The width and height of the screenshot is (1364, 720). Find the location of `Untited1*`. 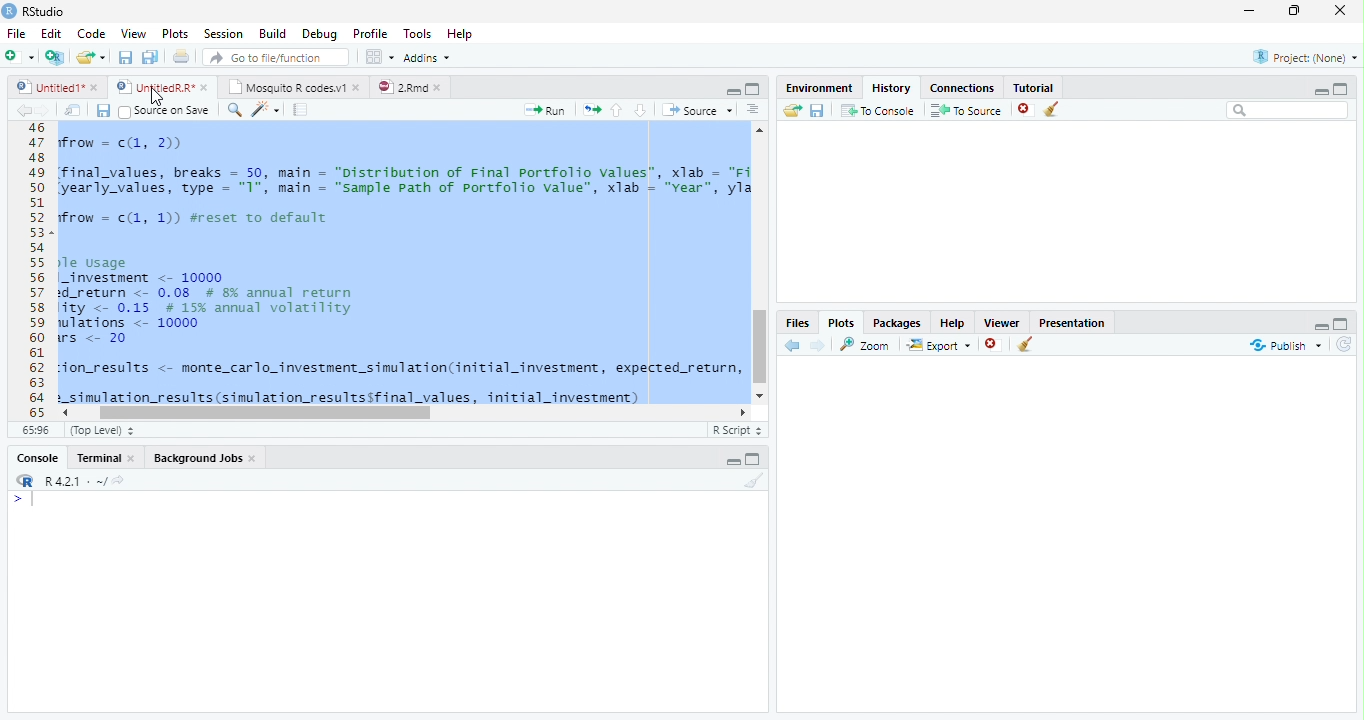

Untited1* is located at coordinates (55, 86).